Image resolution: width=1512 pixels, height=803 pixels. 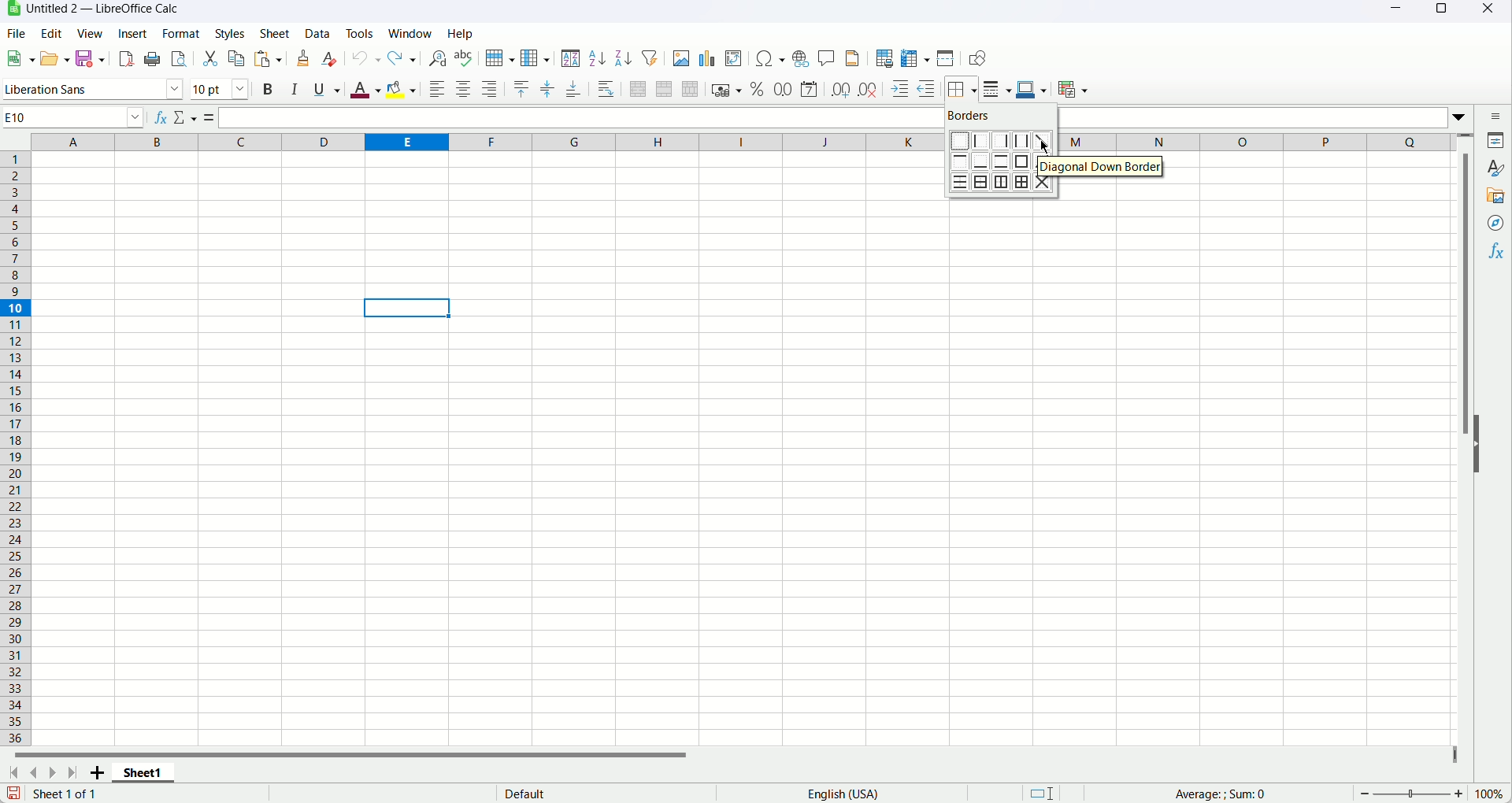 What do you see at coordinates (210, 58) in the screenshot?
I see `Cut` at bounding box center [210, 58].